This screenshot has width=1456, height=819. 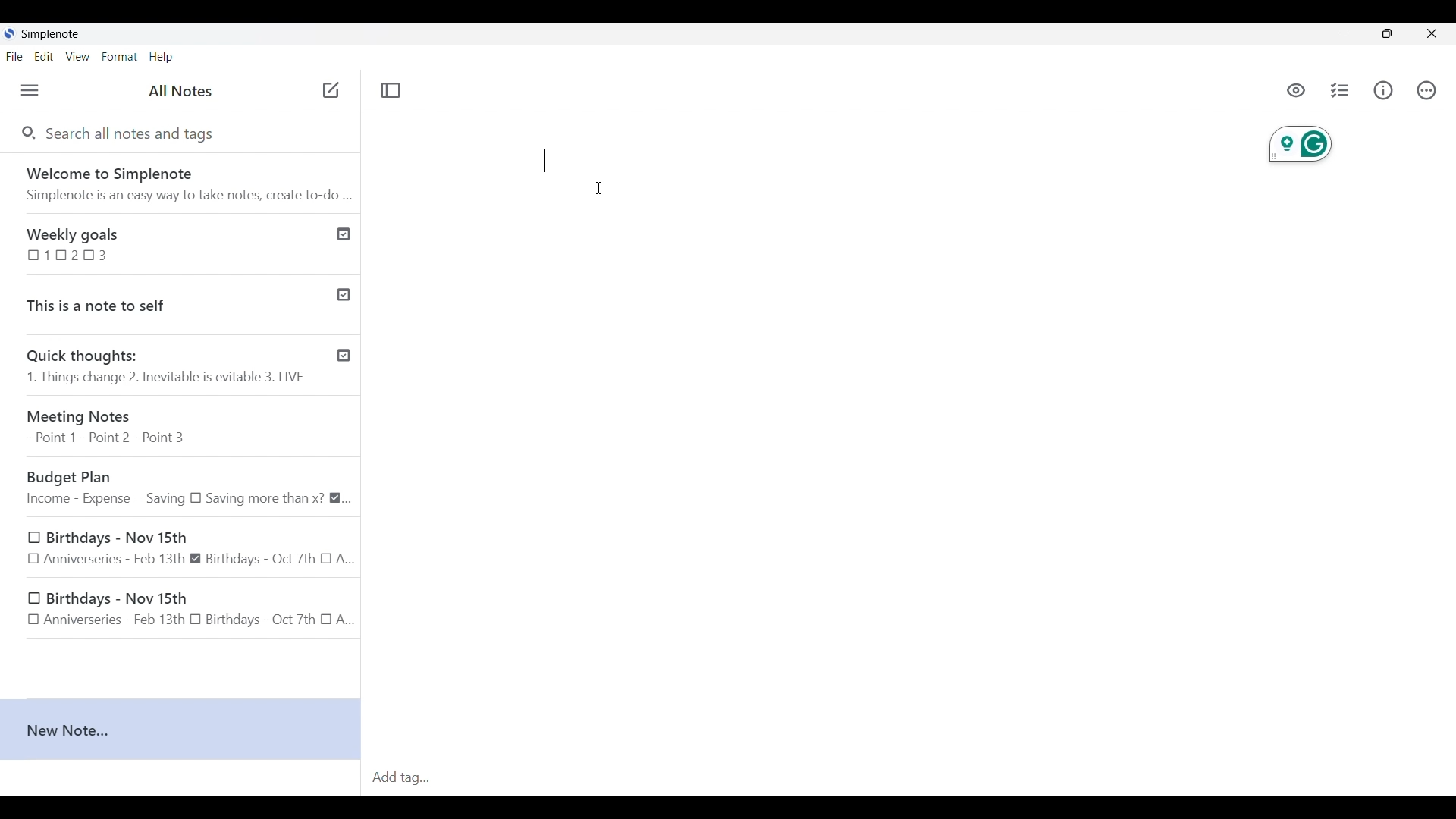 I want to click on Close interface, so click(x=1431, y=33).